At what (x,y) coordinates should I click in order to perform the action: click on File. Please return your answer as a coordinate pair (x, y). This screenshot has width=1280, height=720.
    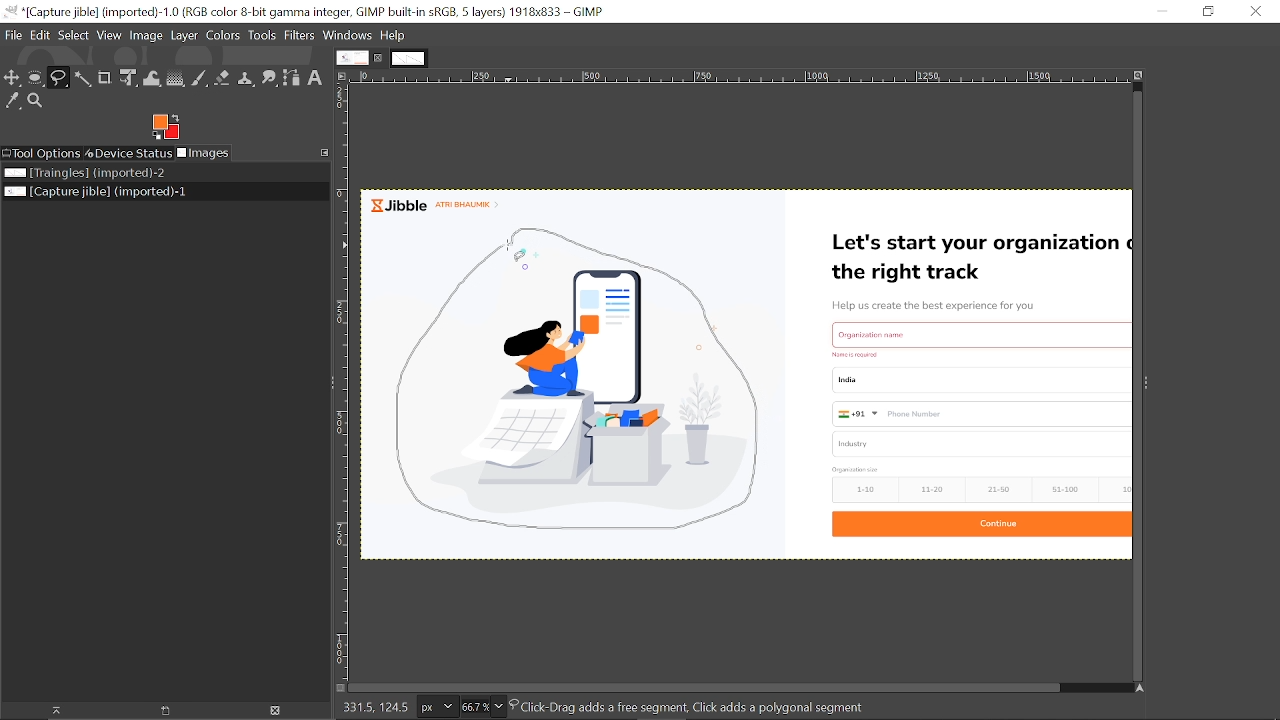
    Looking at the image, I should click on (14, 35).